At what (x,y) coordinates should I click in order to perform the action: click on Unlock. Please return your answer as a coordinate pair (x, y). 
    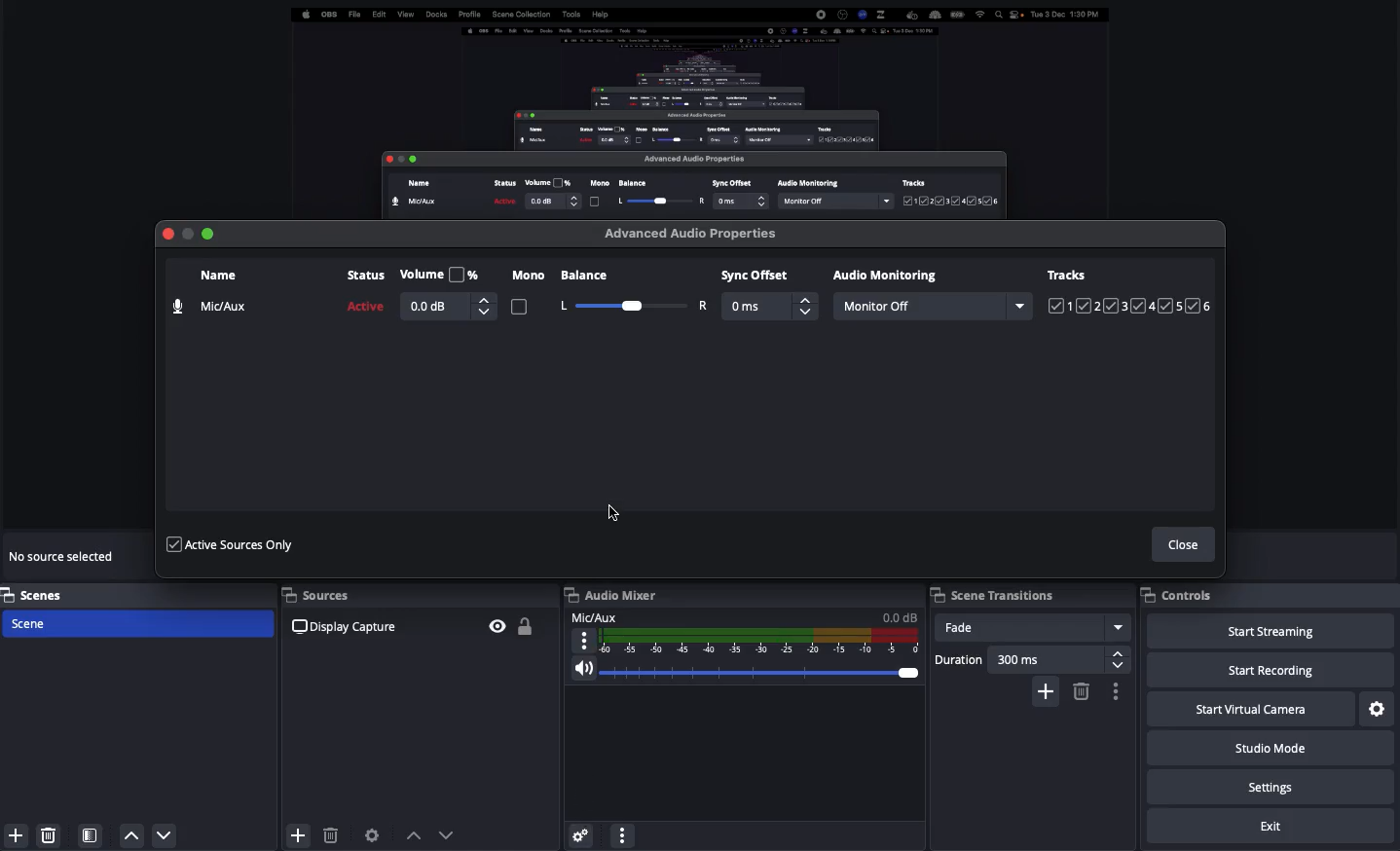
    Looking at the image, I should click on (529, 627).